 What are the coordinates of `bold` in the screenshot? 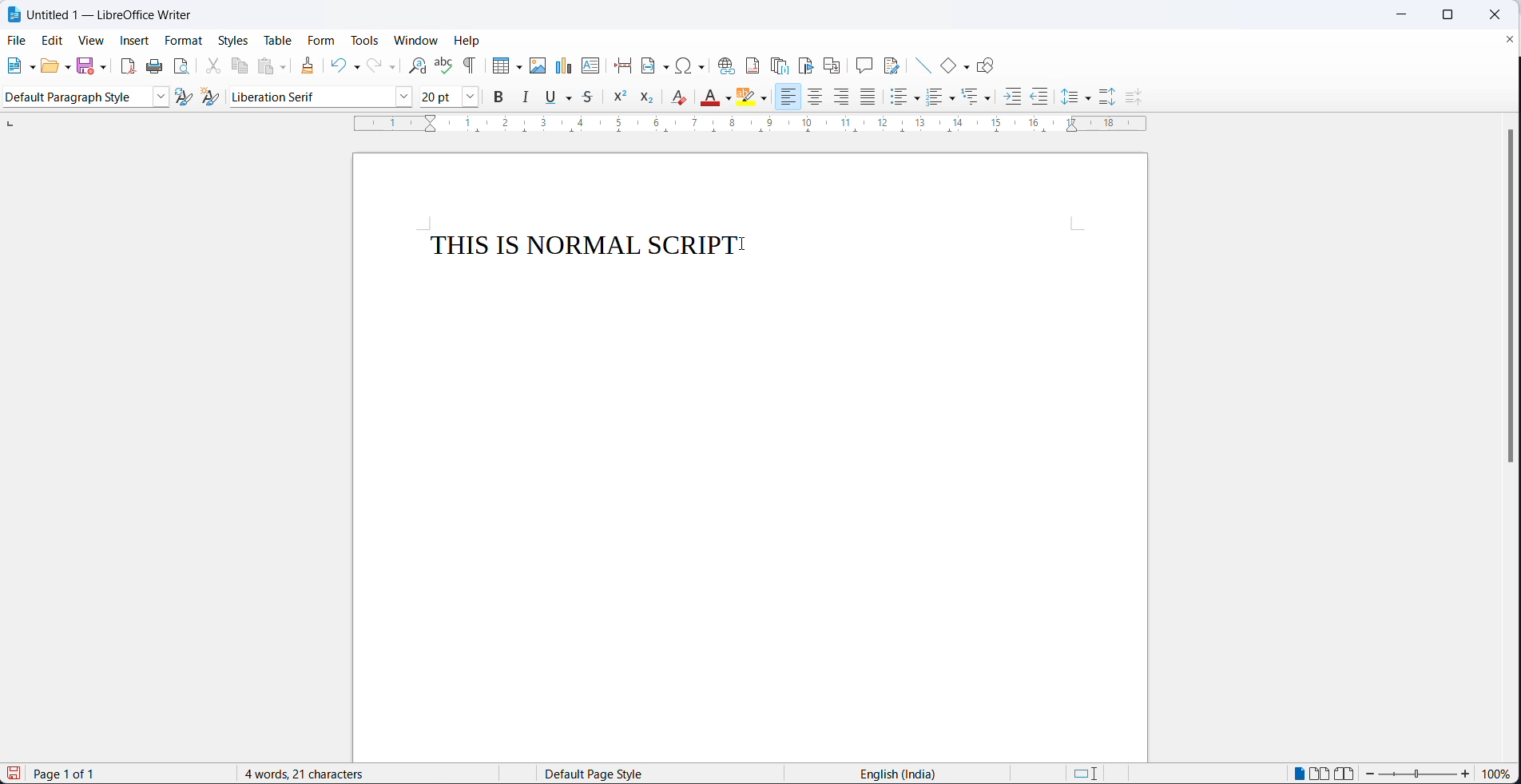 It's located at (499, 97).